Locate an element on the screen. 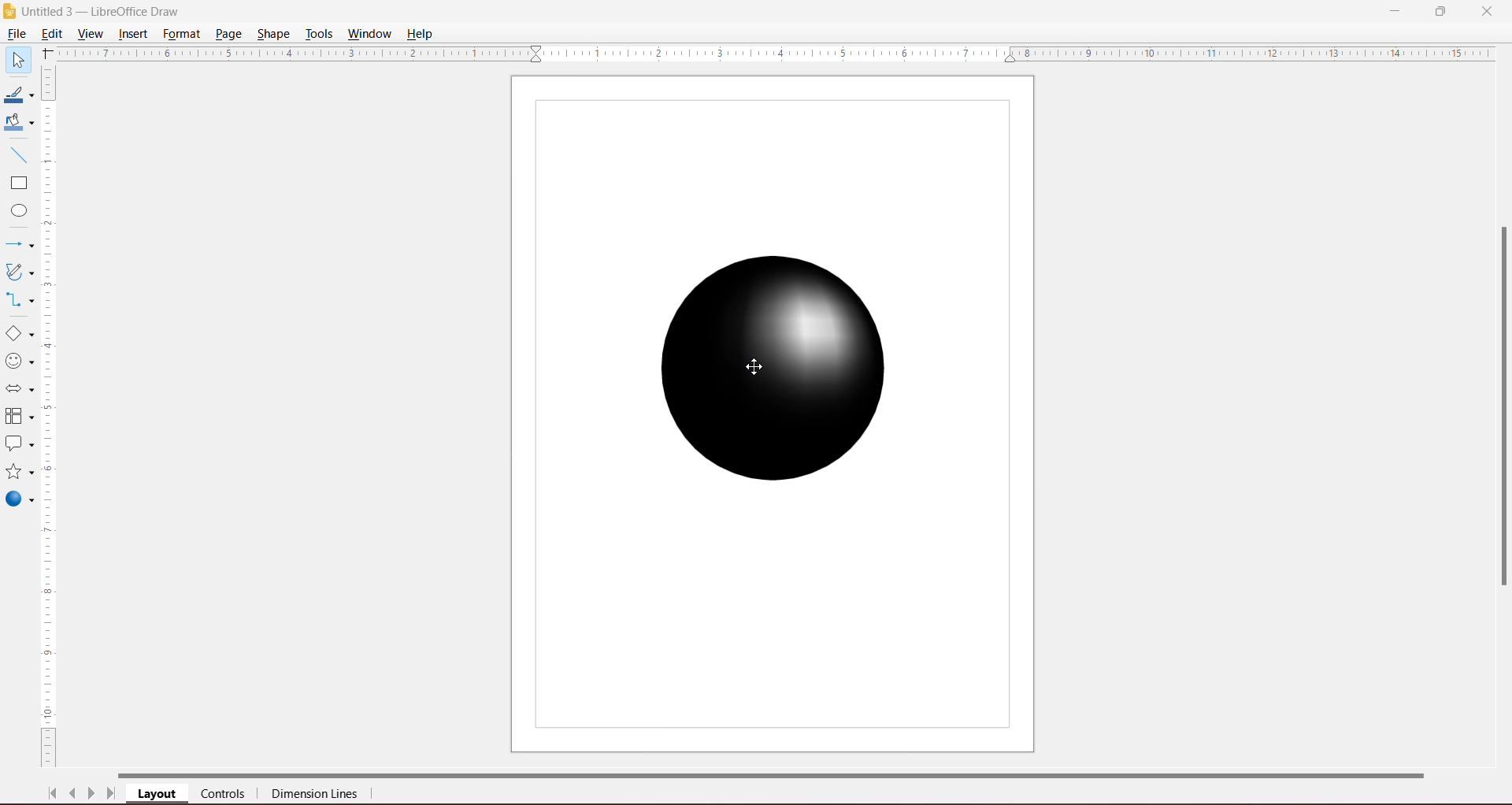 This screenshot has width=1512, height=805. Symbol Shapes is located at coordinates (19, 362).